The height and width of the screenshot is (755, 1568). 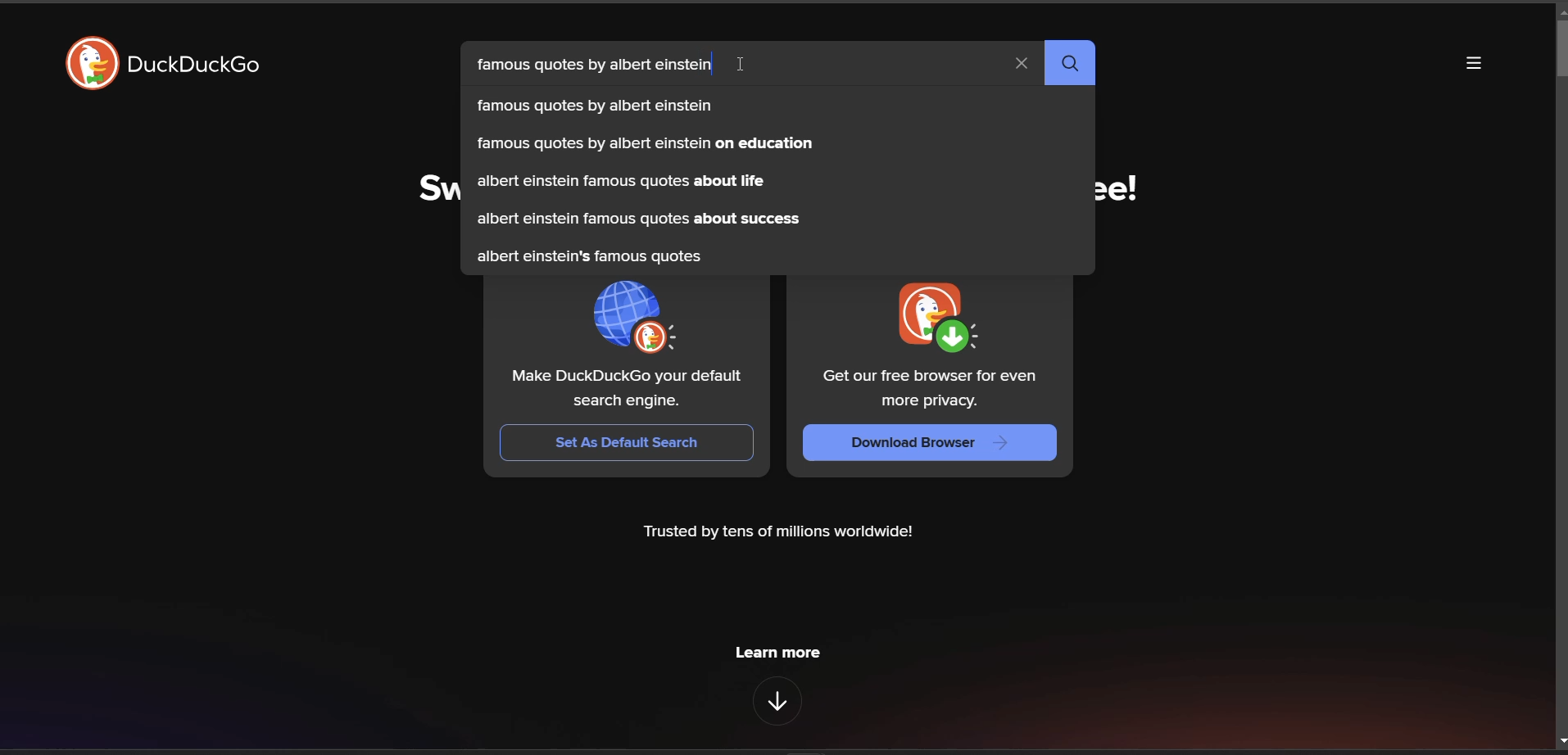 What do you see at coordinates (780, 653) in the screenshot?
I see `learn more` at bounding box center [780, 653].